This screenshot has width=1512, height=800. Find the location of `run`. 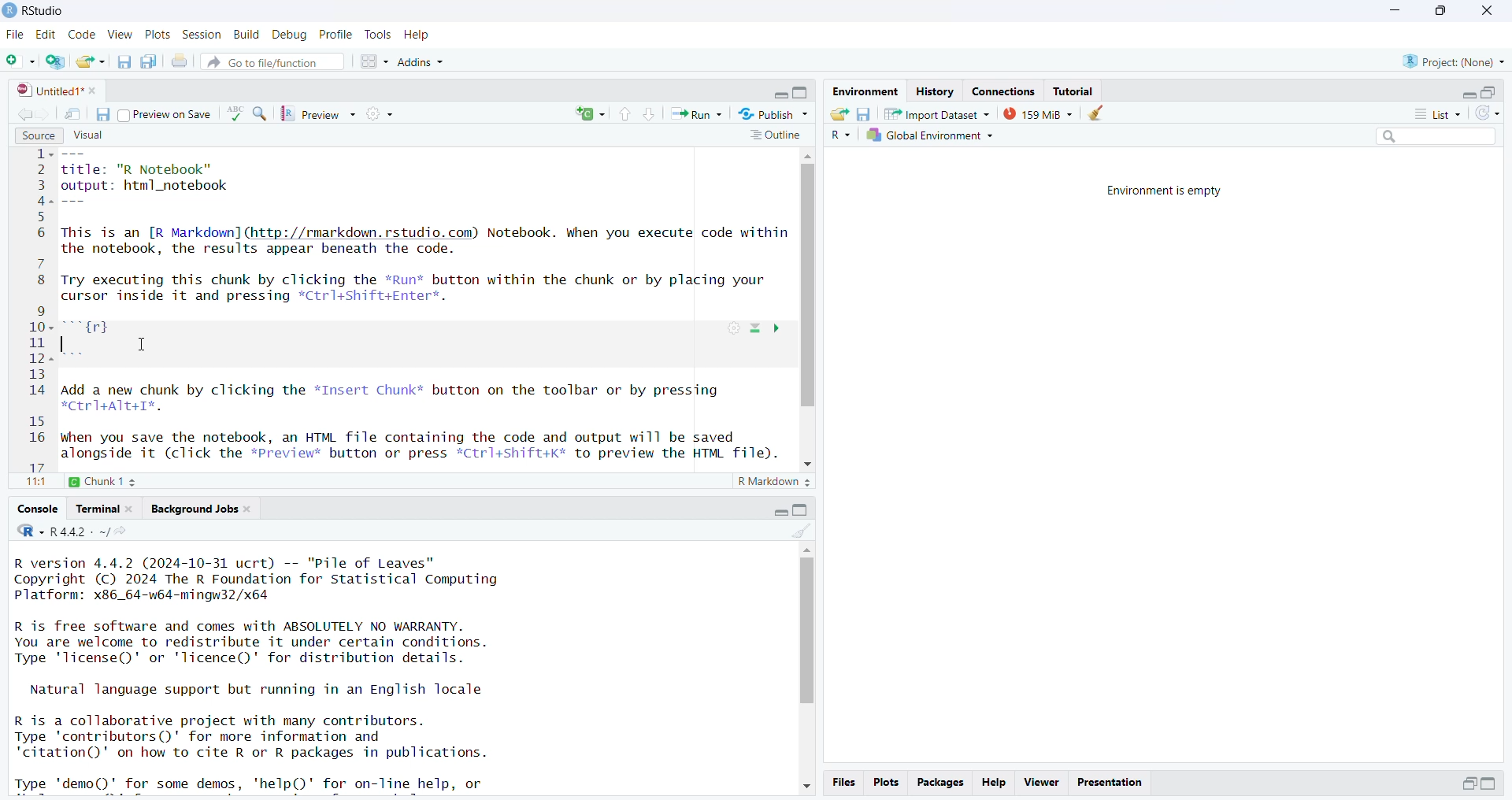

run is located at coordinates (697, 114).